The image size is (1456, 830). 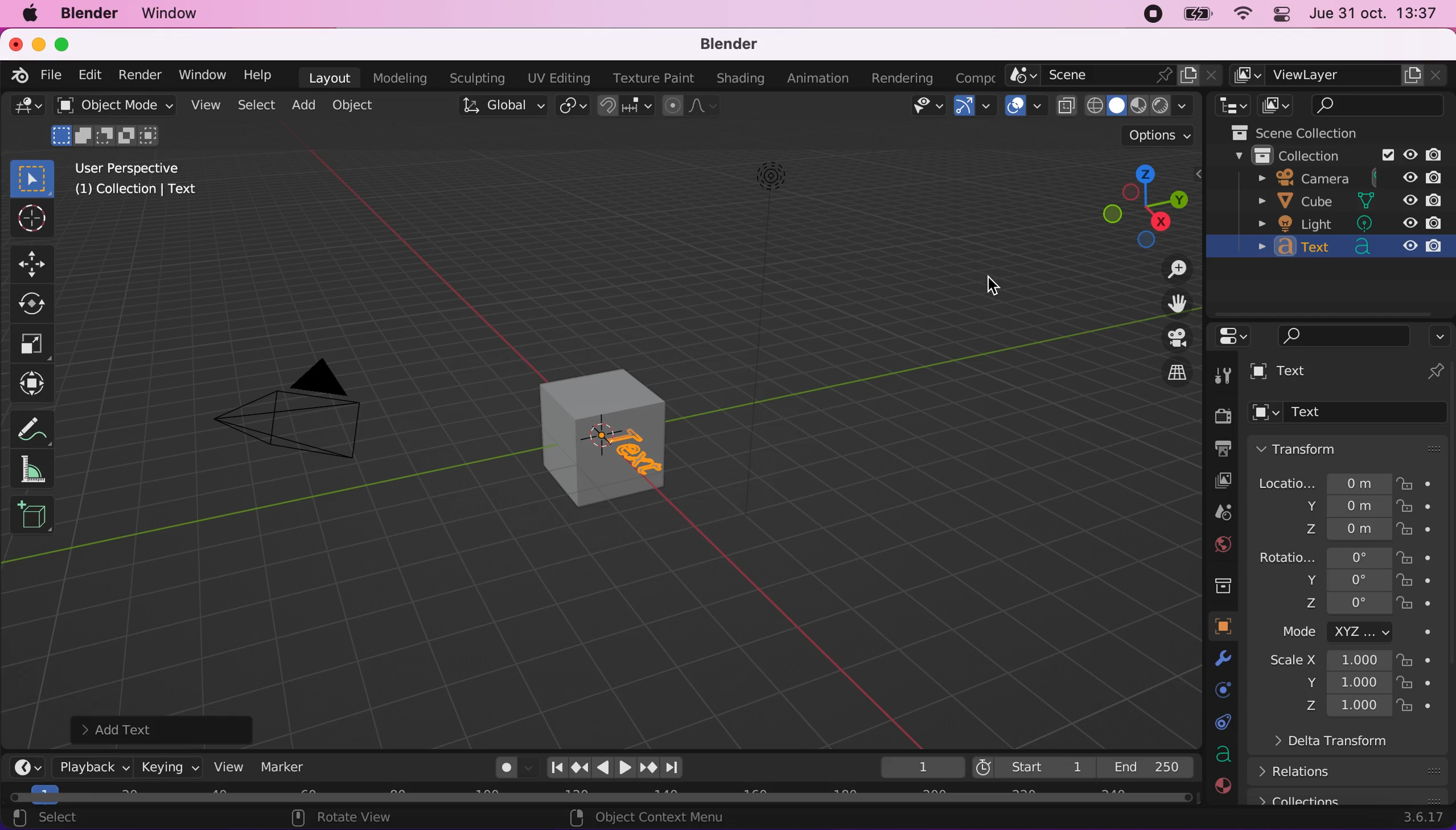 I want to click on edit, so click(x=91, y=74).